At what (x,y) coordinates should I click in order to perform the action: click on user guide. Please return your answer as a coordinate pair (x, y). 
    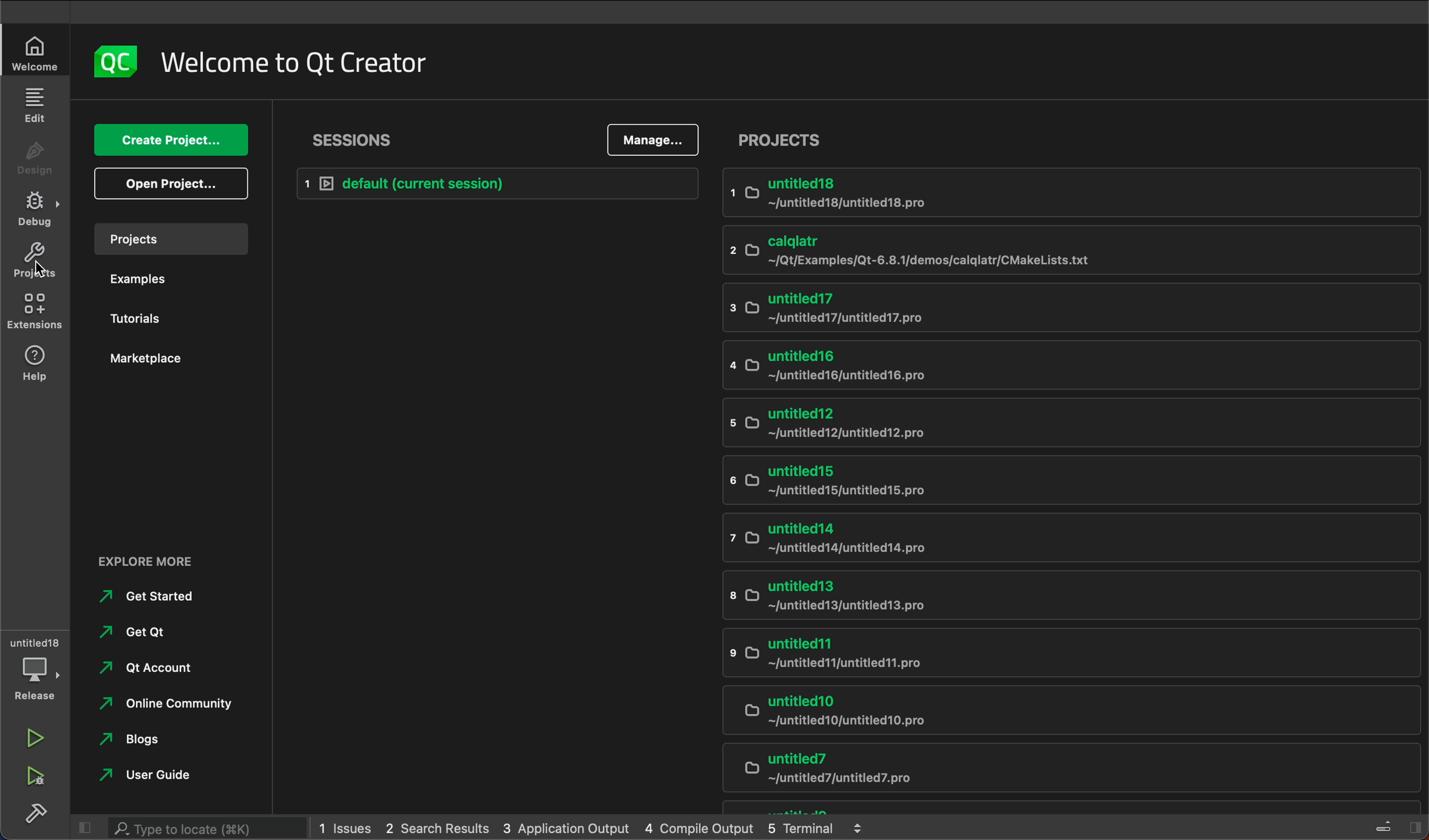
    Looking at the image, I should click on (152, 776).